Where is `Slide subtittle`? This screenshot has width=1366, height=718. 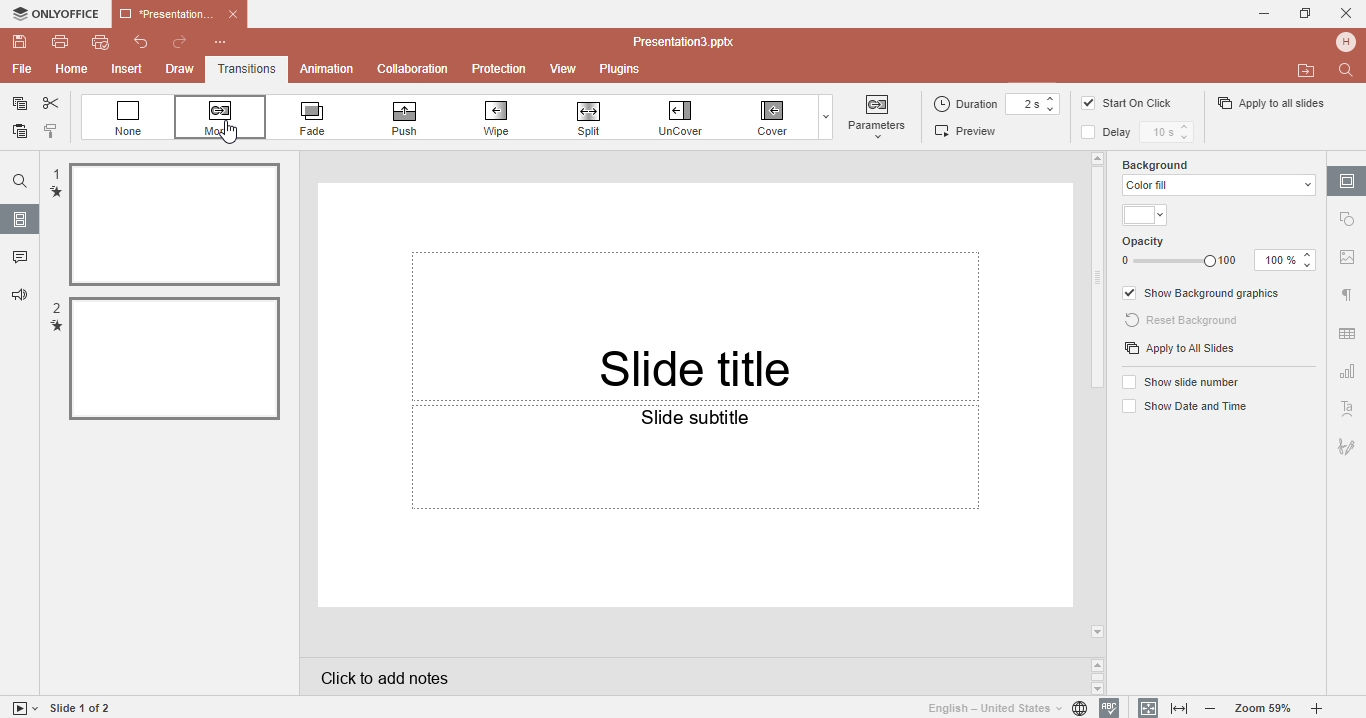 Slide subtittle is located at coordinates (695, 505).